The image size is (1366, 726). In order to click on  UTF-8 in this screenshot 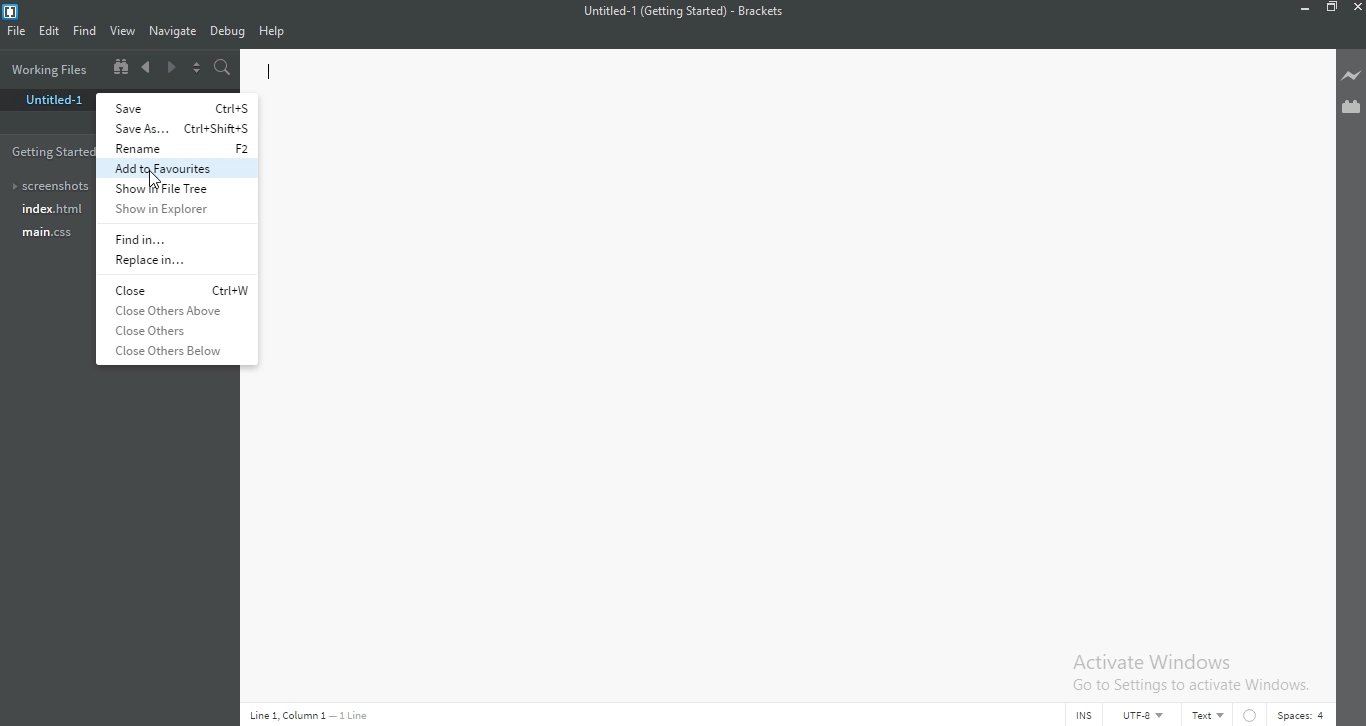, I will do `click(1143, 717)`.